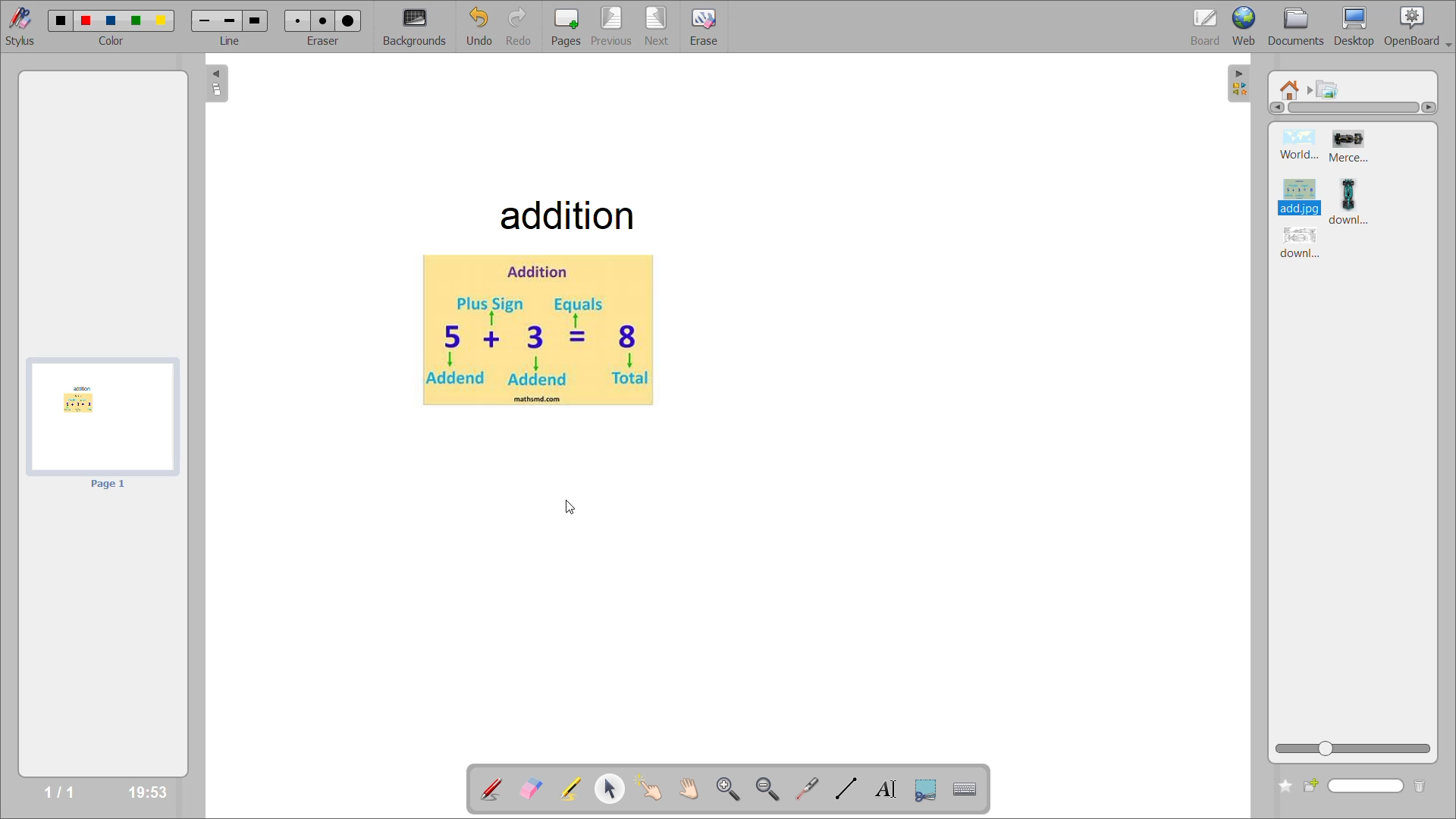  Describe the element at coordinates (149, 789) in the screenshot. I see `timestamp` at that location.